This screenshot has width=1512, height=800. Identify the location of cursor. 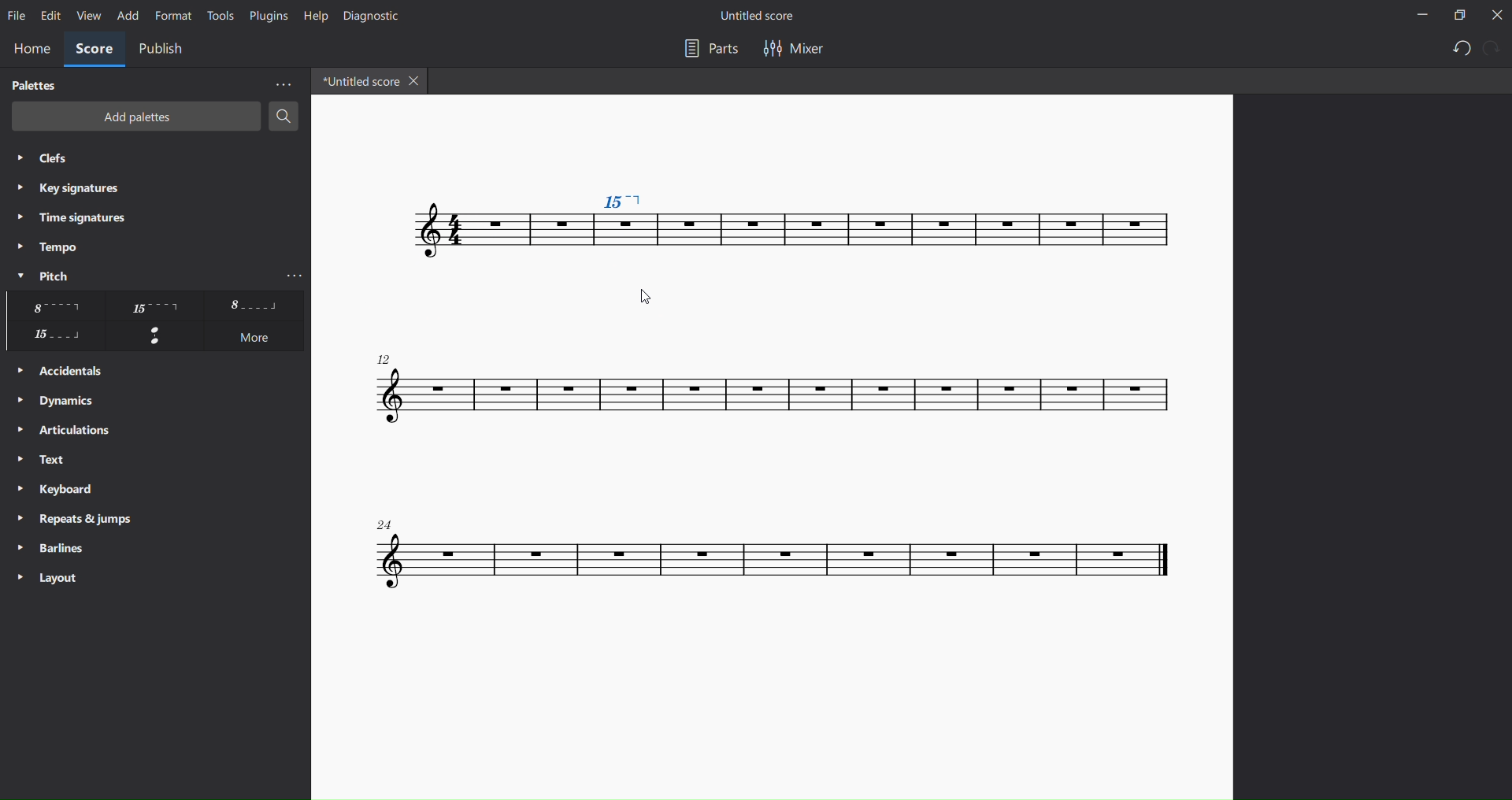
(647, 298).